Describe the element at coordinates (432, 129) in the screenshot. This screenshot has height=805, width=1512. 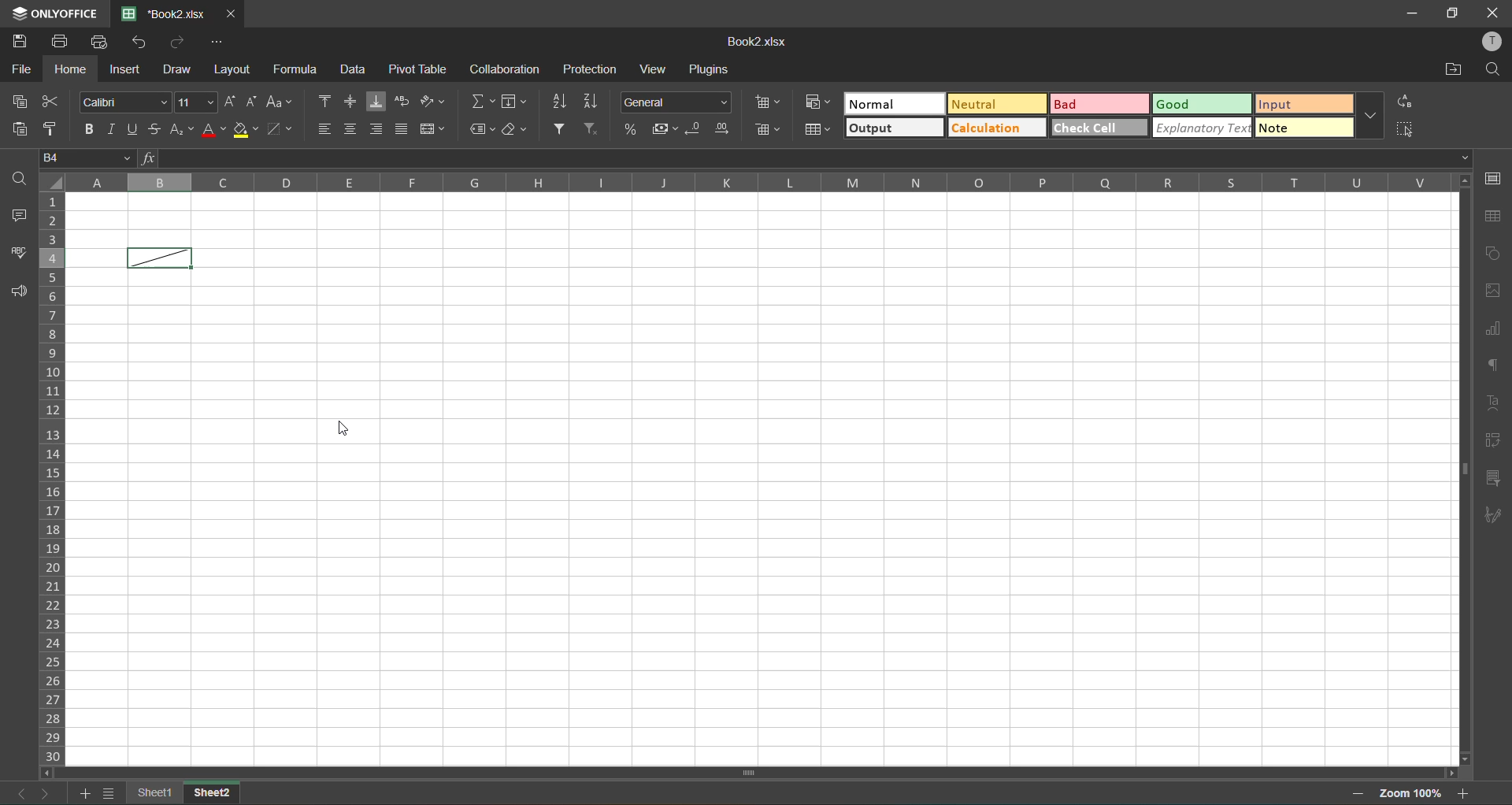
I see `merge and center` at that location.